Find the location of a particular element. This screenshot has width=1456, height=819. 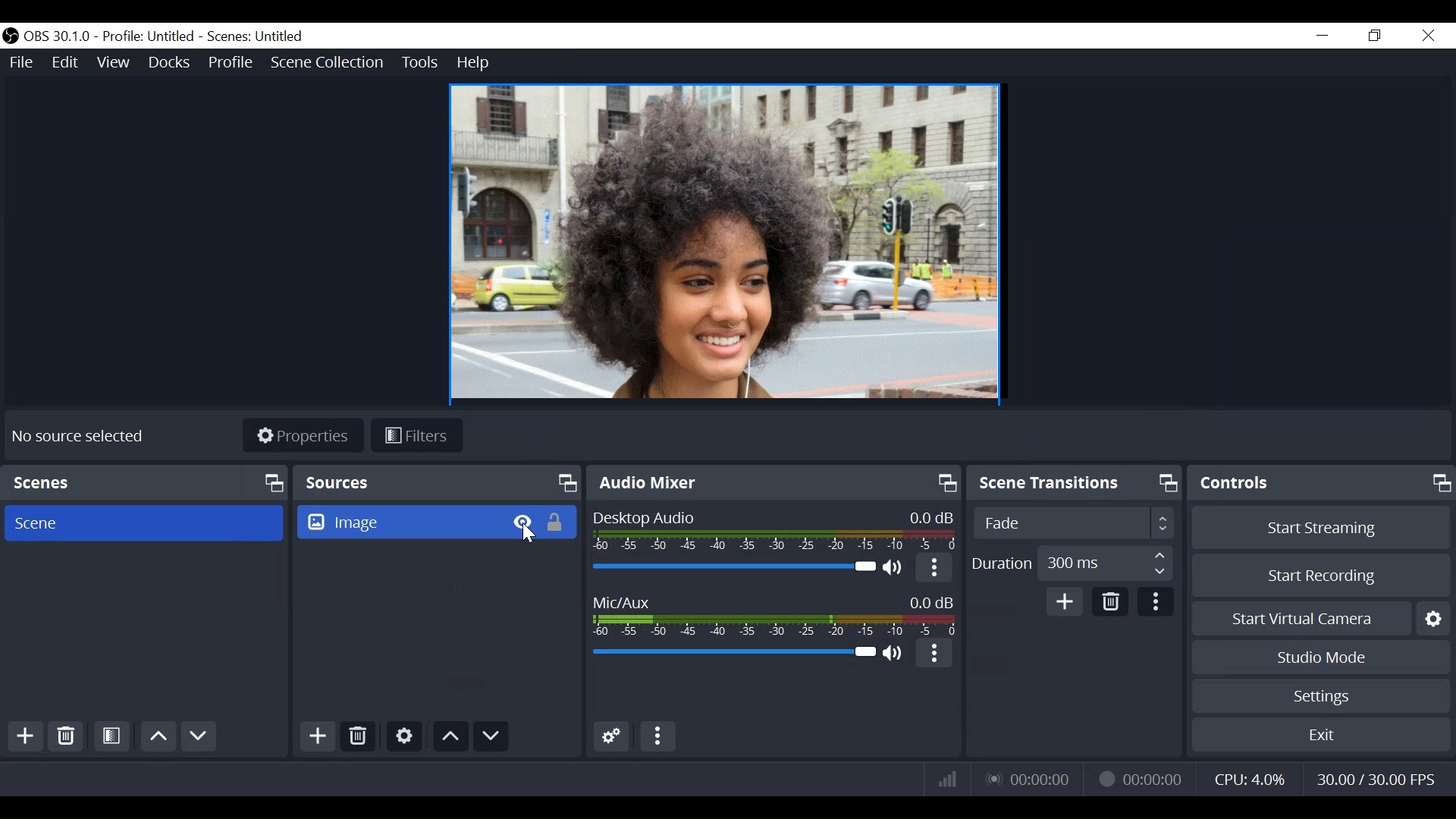

Properties is located at coordinates (302, 435).